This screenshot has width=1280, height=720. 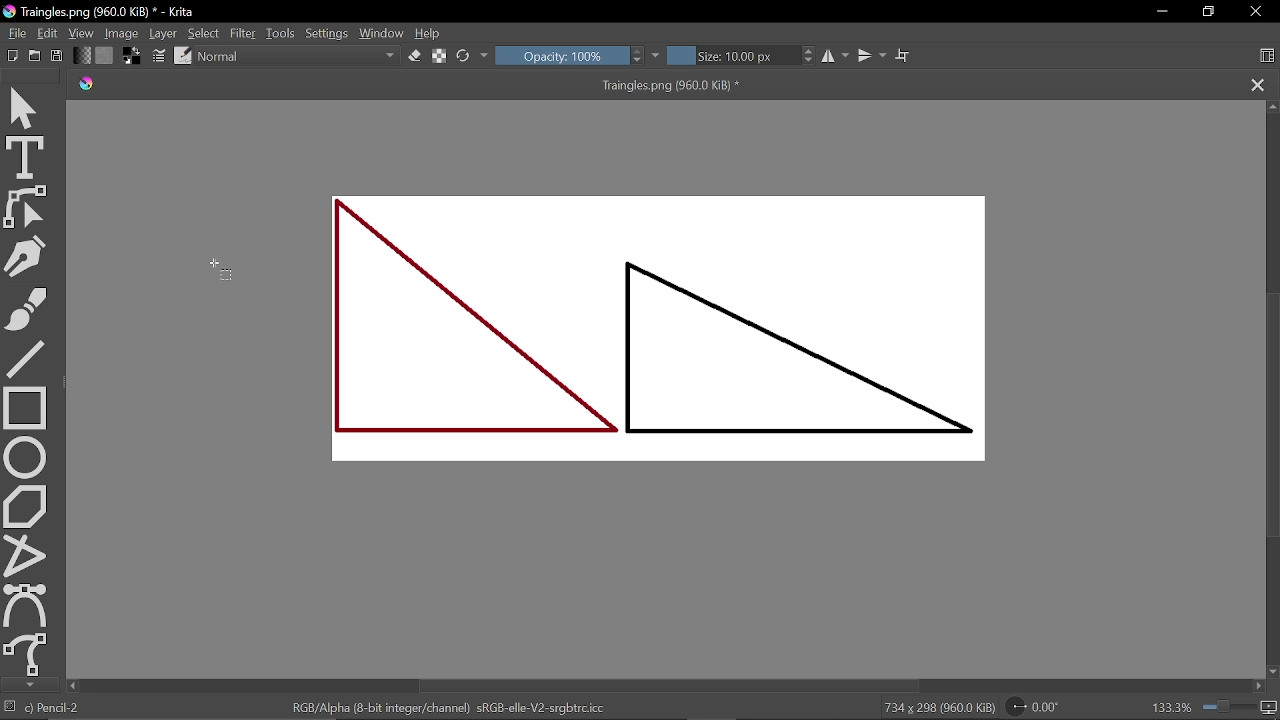 What do you see at coordinates (26, 553) in the screenshot?
I see `Polyline tool` at bounding box center [26, 553].